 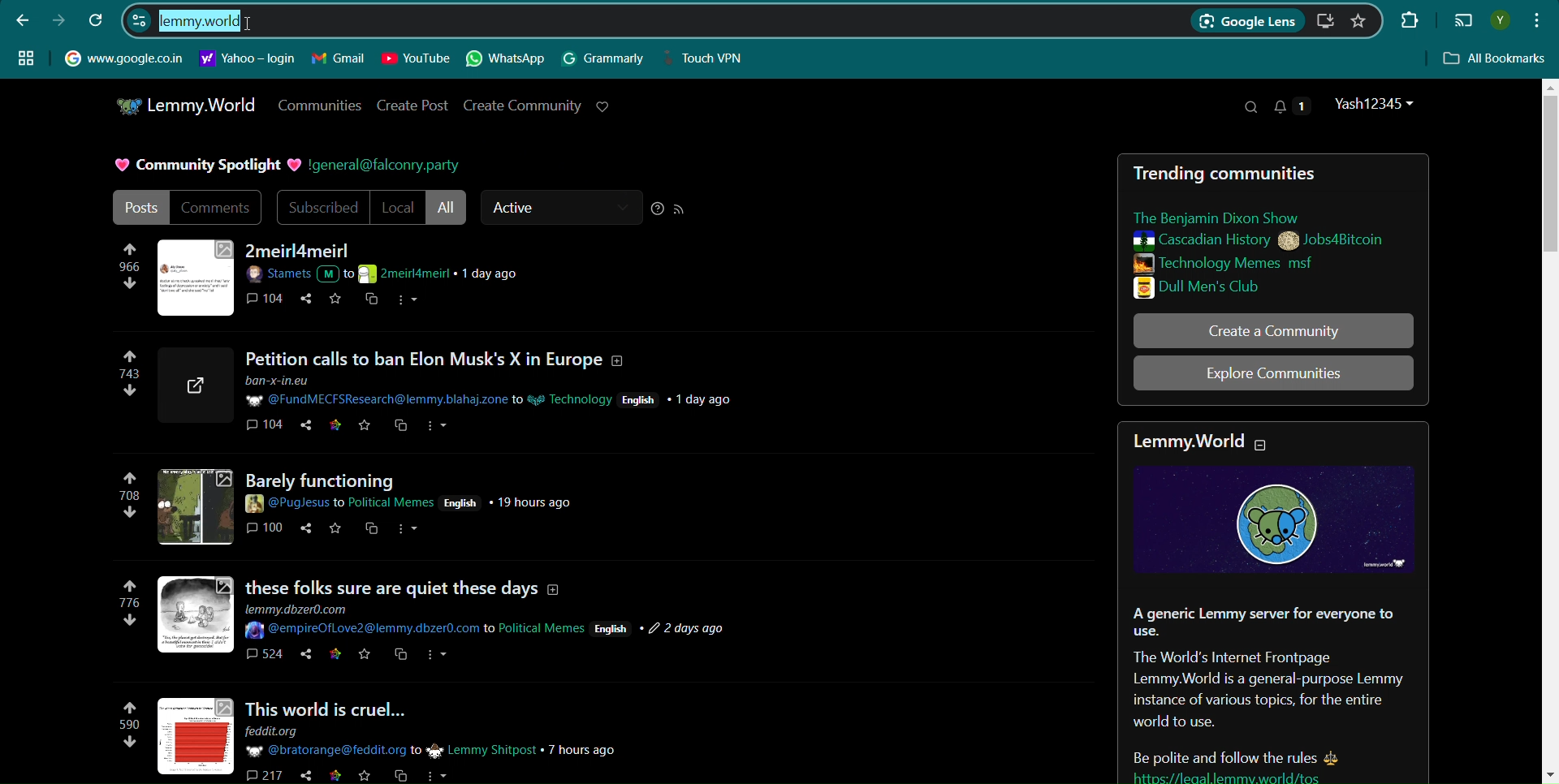 What do you see at coordinates (334, 777) in the screenshot?
I see `star` at bounding box center [334, 777].